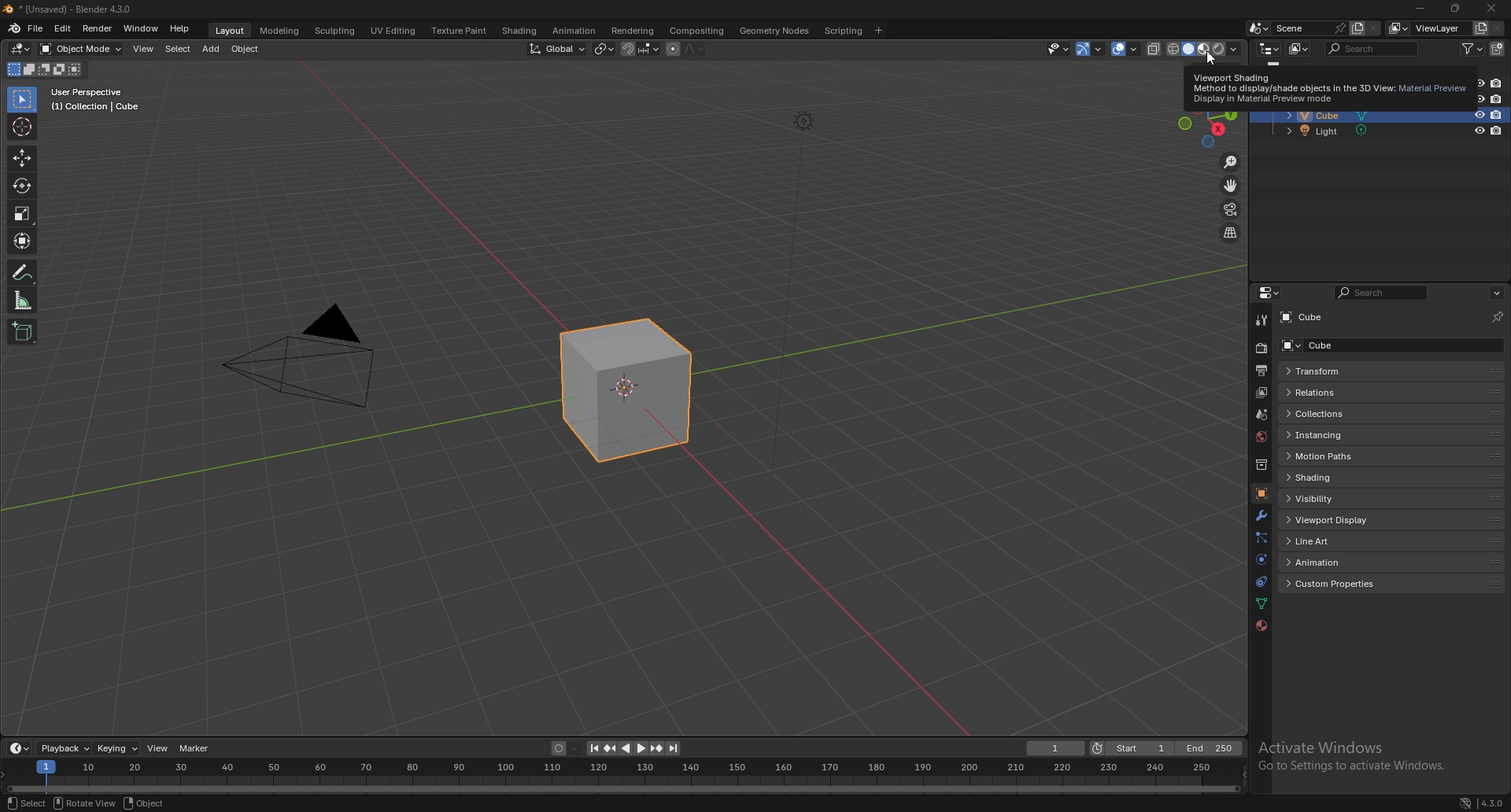 This screenshot has width=1511, height=812. I want to click on info, so click(97, 99).